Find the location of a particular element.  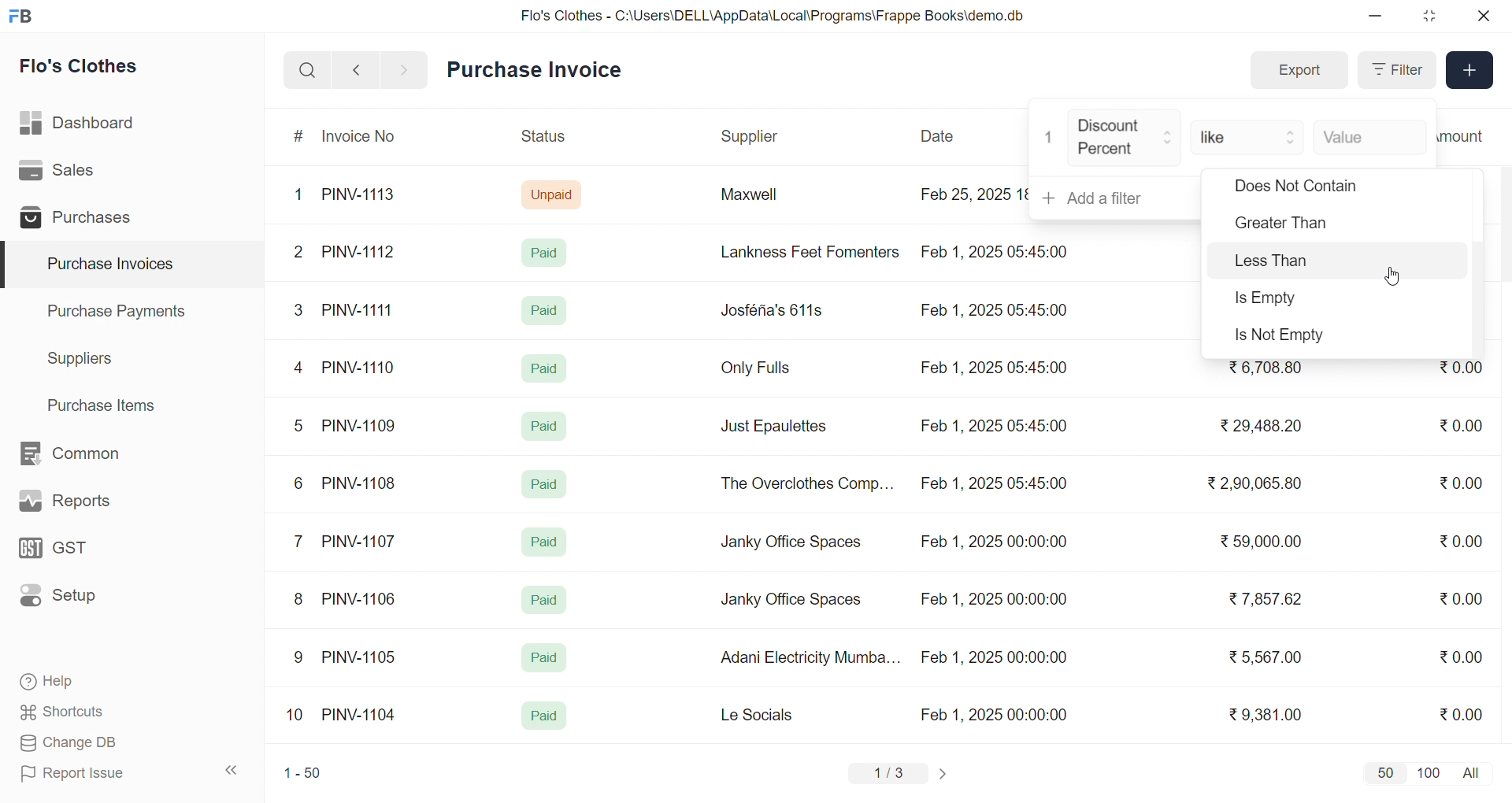

₹0.00 is located at coordinates (1466, 539).